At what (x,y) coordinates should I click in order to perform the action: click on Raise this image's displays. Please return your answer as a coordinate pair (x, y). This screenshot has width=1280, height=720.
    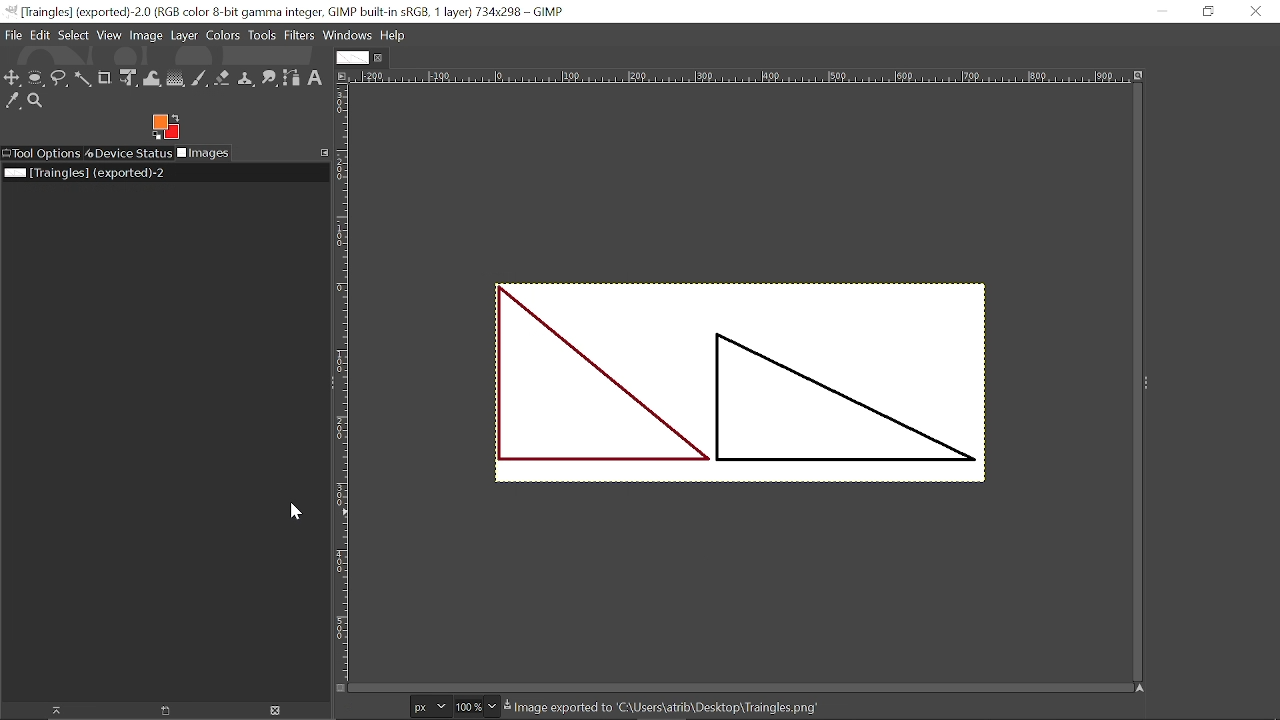
    Looking at the image, I should click on (57, 710).